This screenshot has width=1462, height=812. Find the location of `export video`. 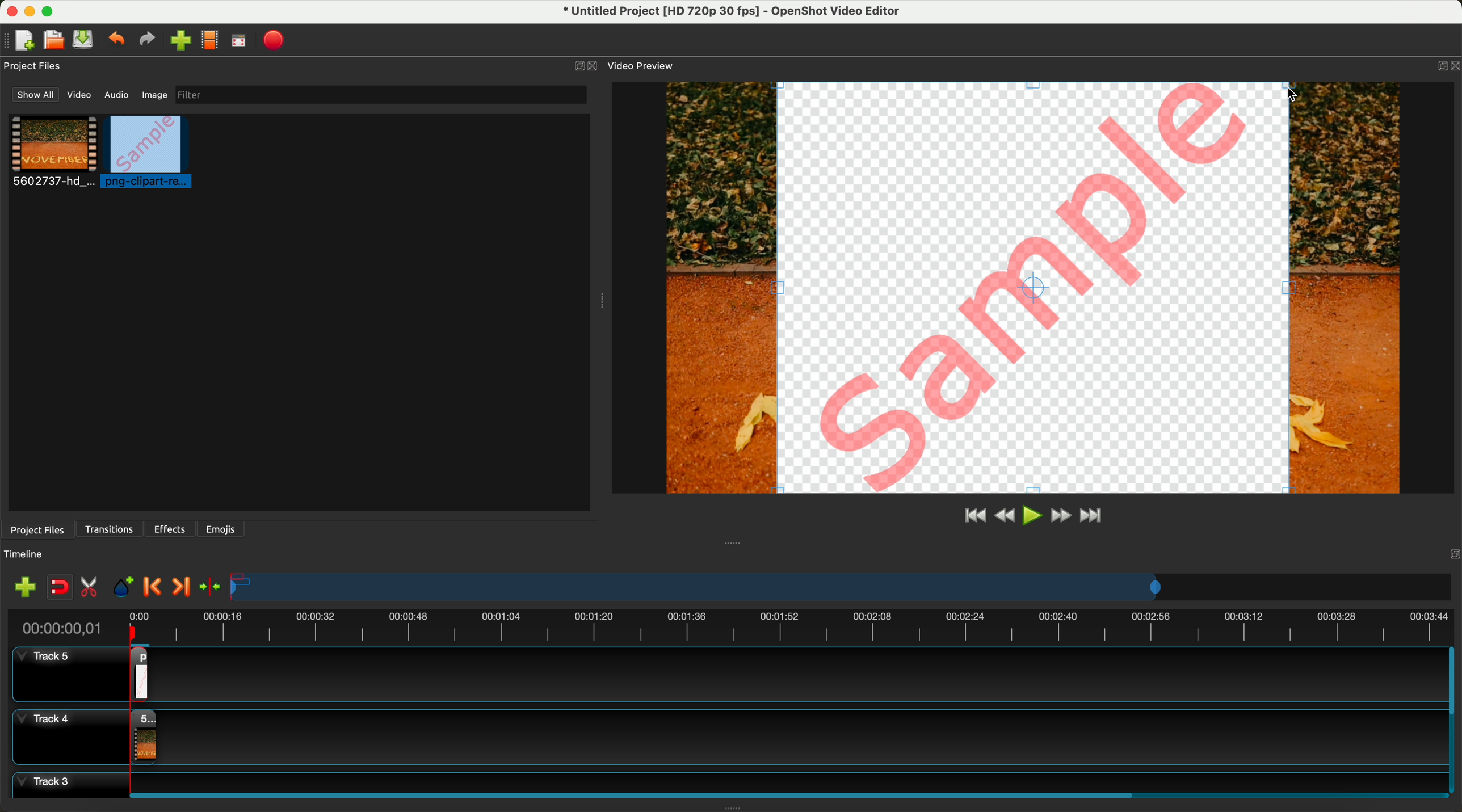

export video is located at coordinates (278, 40).